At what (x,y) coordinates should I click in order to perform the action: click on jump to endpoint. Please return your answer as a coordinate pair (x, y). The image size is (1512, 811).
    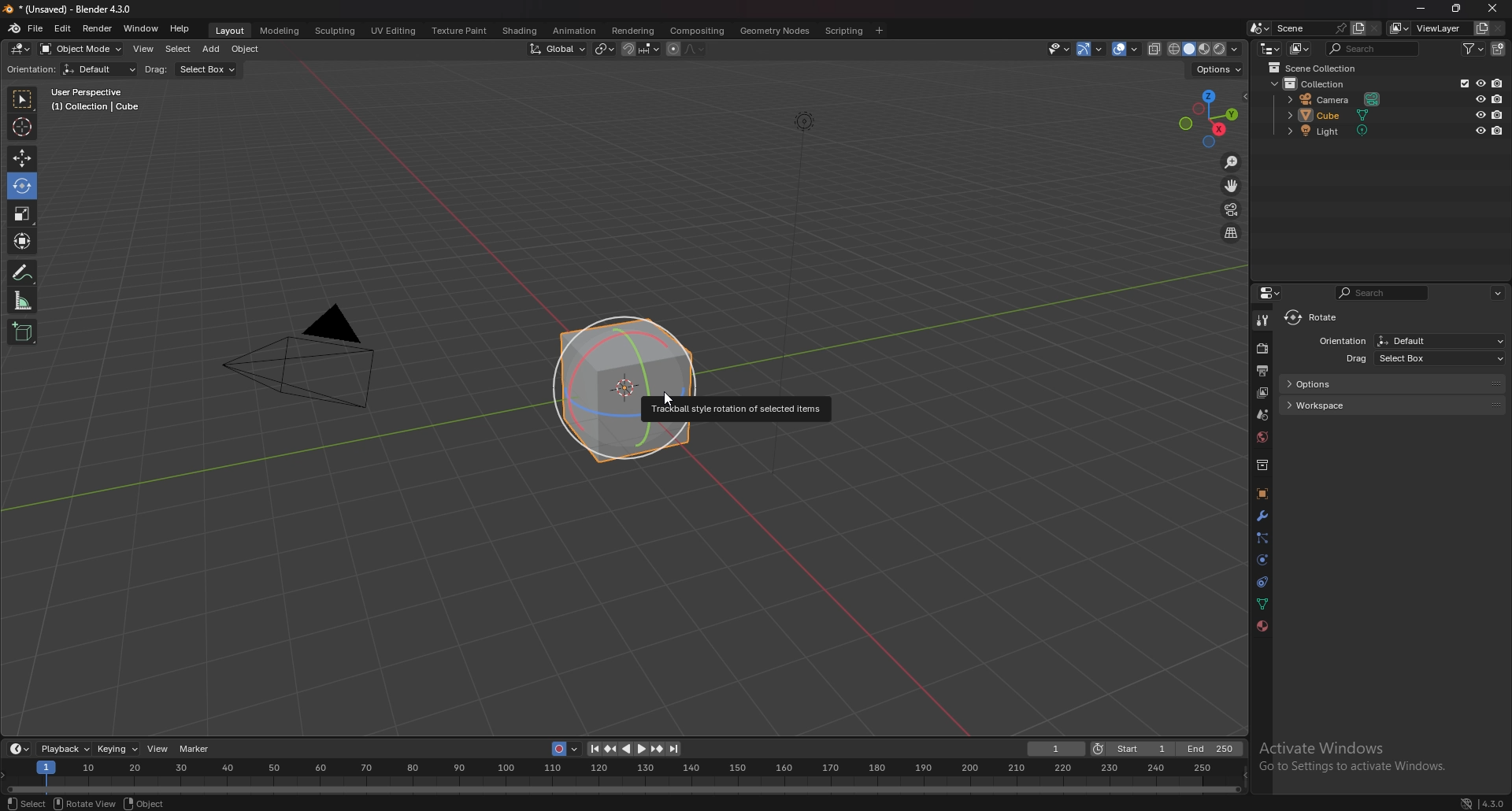
    Looking at the image, I should click on (592, 750).